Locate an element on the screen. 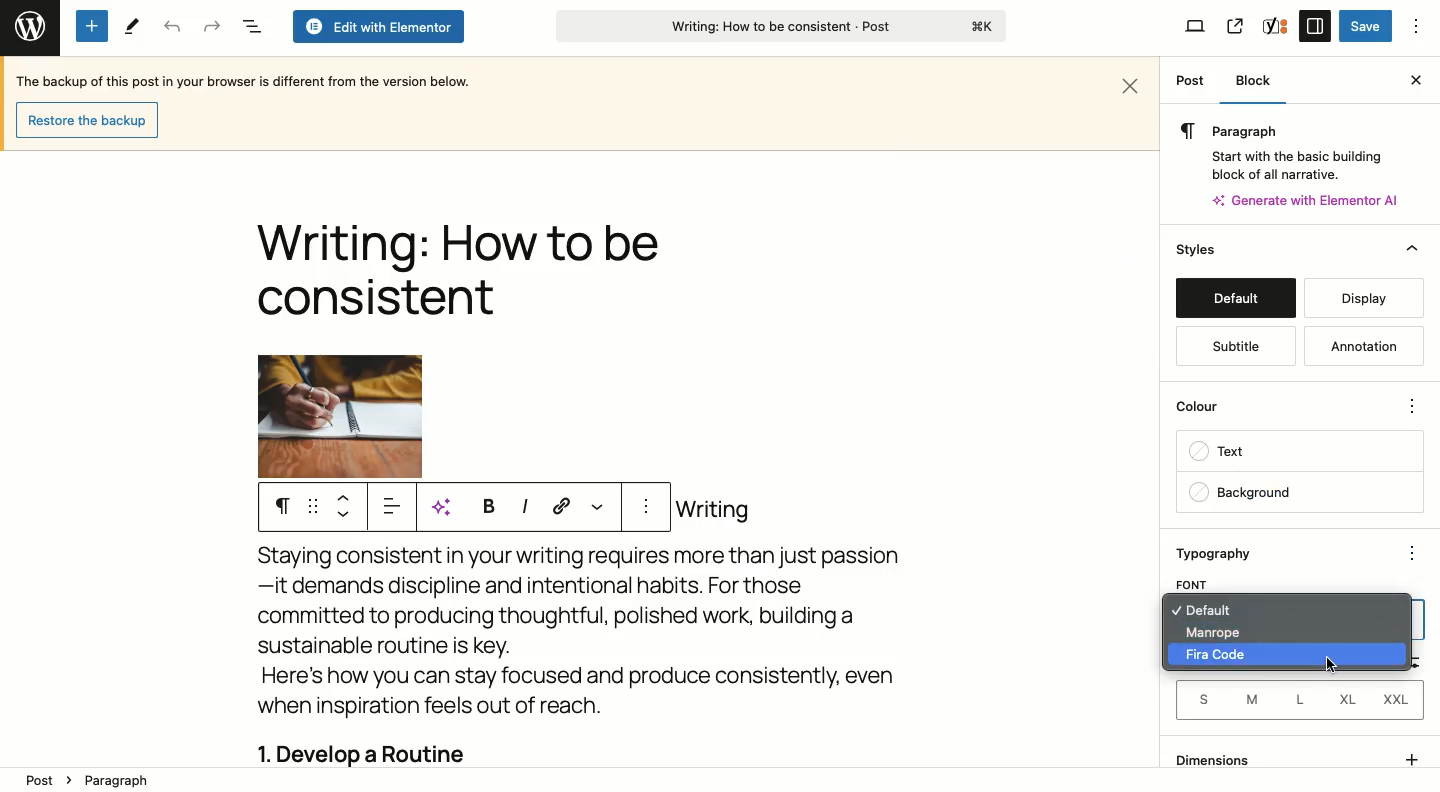  Tools is located at coordinates (130, 27).